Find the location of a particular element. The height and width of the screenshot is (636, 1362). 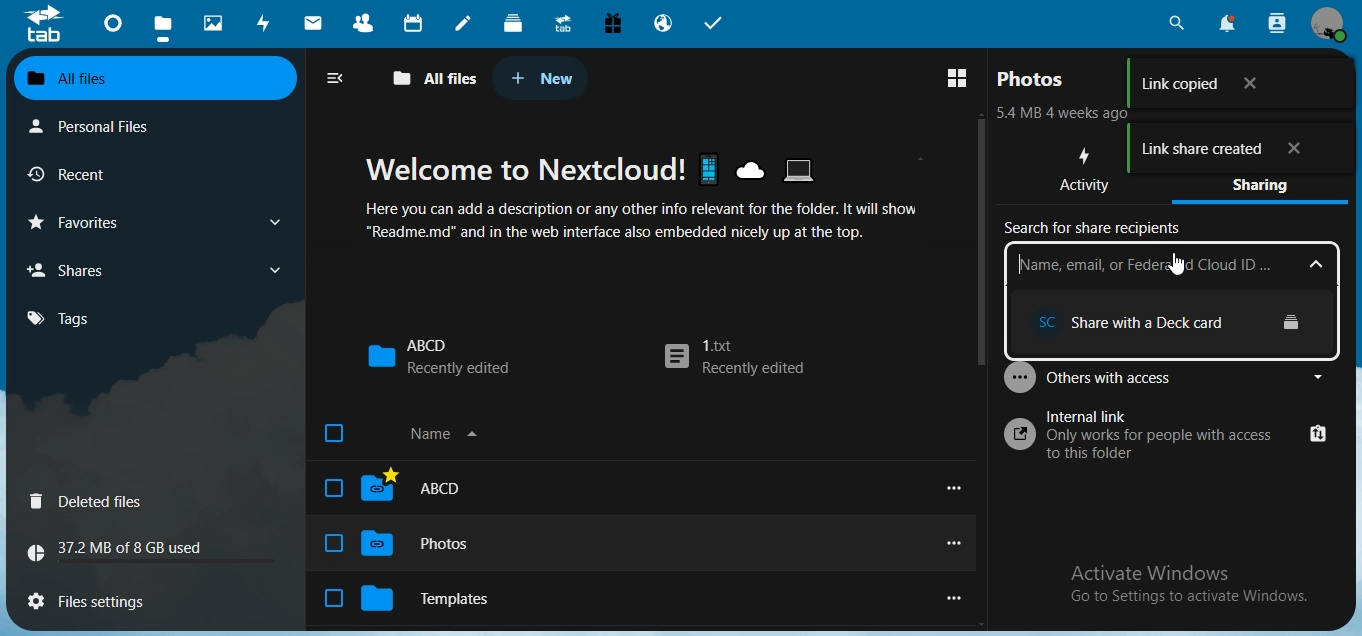

link share created is located at coordinates (1239, 151).